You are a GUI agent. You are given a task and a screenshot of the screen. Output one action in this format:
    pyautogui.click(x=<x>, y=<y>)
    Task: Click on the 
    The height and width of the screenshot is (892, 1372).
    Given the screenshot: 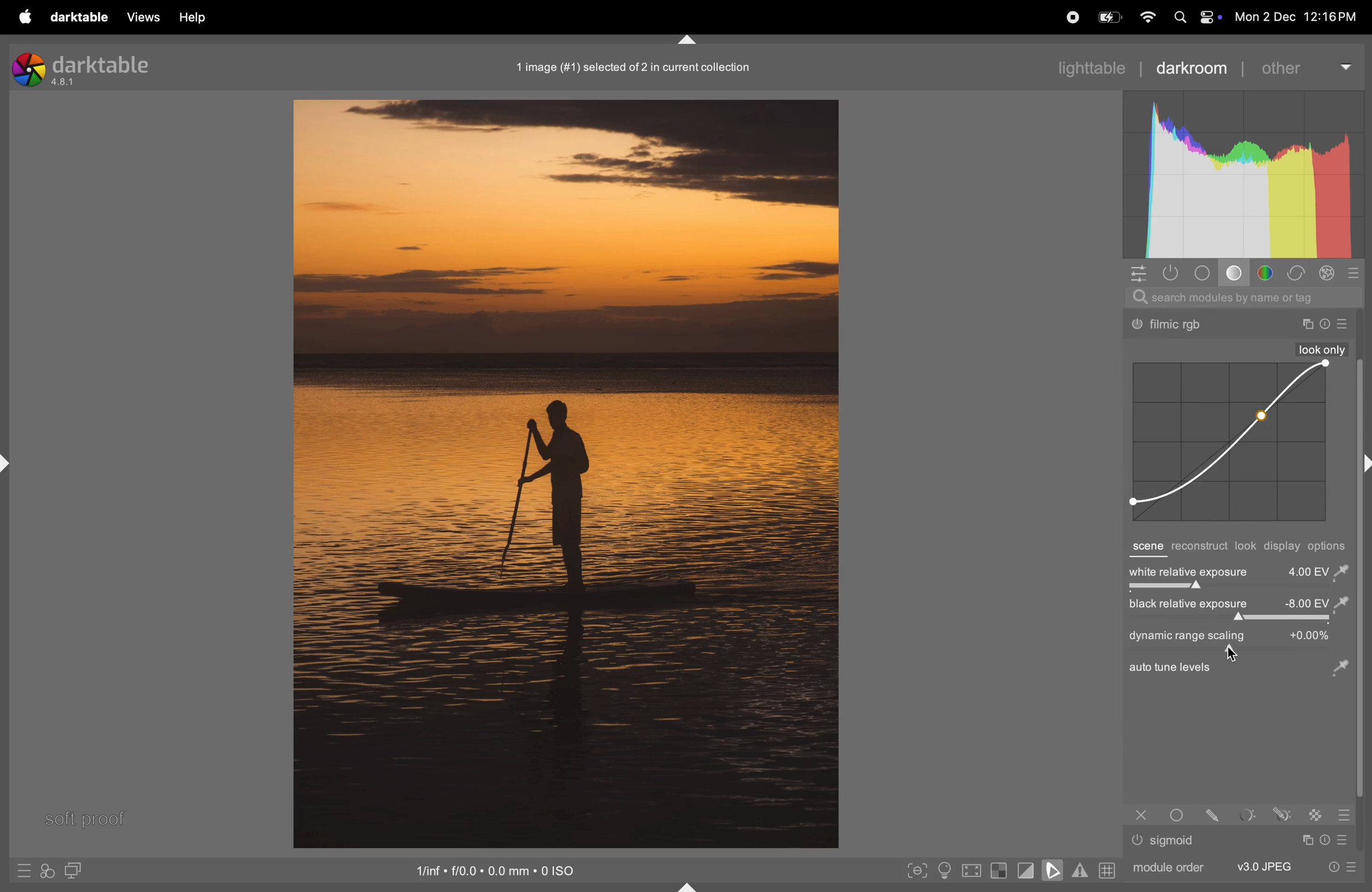 What is the action you would take?
    pyautogui.click(x=1347, y=840)
    